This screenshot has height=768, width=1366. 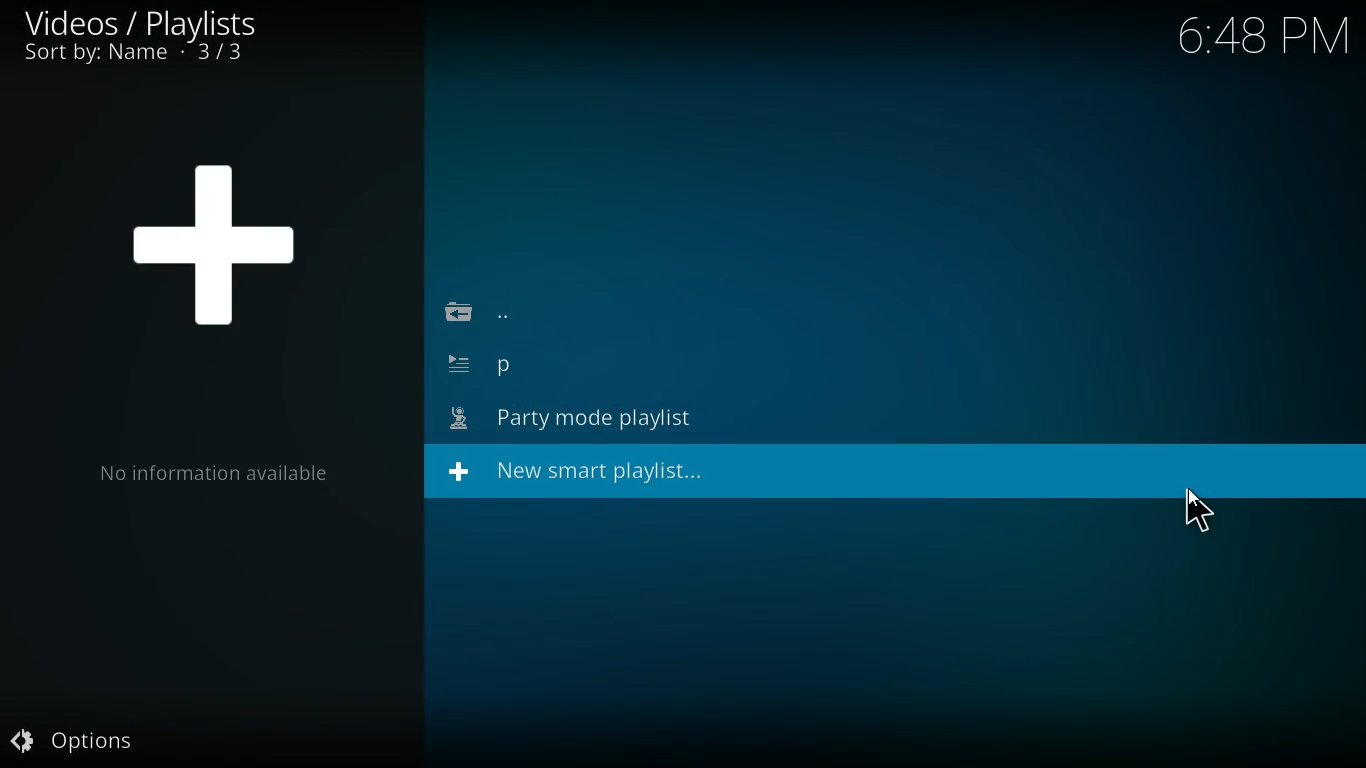 What do you see at coordinates (500, 314) in the screenshot?
I see `back` at bounding box center [500, 314].